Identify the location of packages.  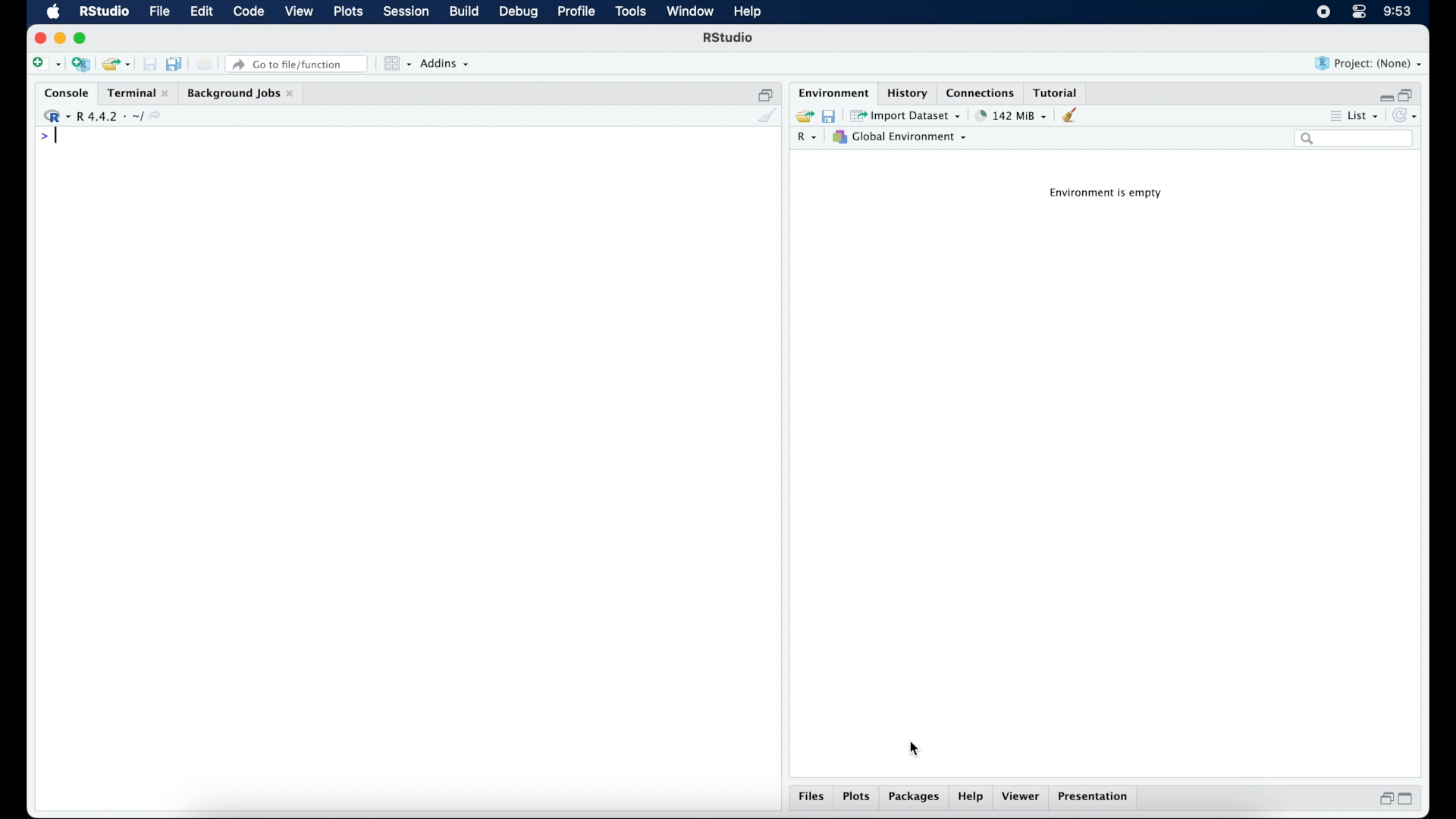
(915, 799).